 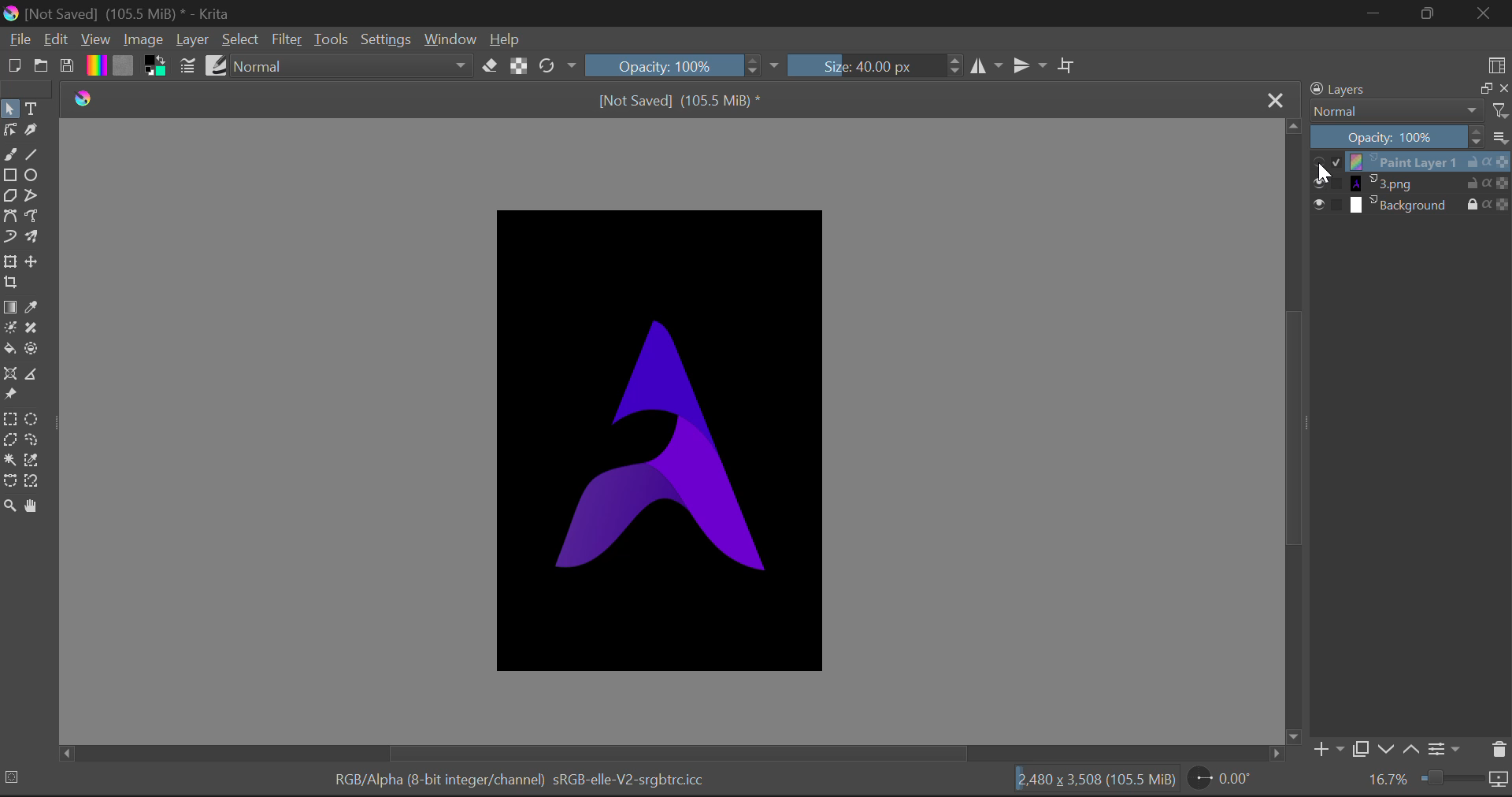 I want to click on [Not Saved] (105.5 MiB) *, so click(x=679, y=99).